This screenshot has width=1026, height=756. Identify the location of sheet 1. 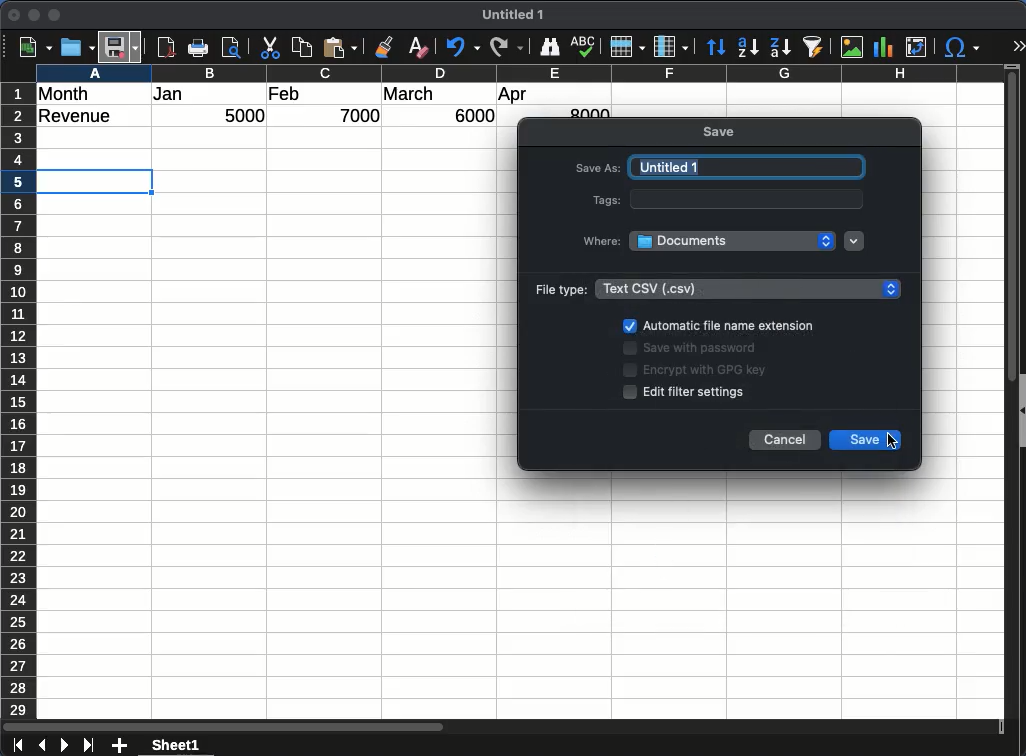
(194, 745).